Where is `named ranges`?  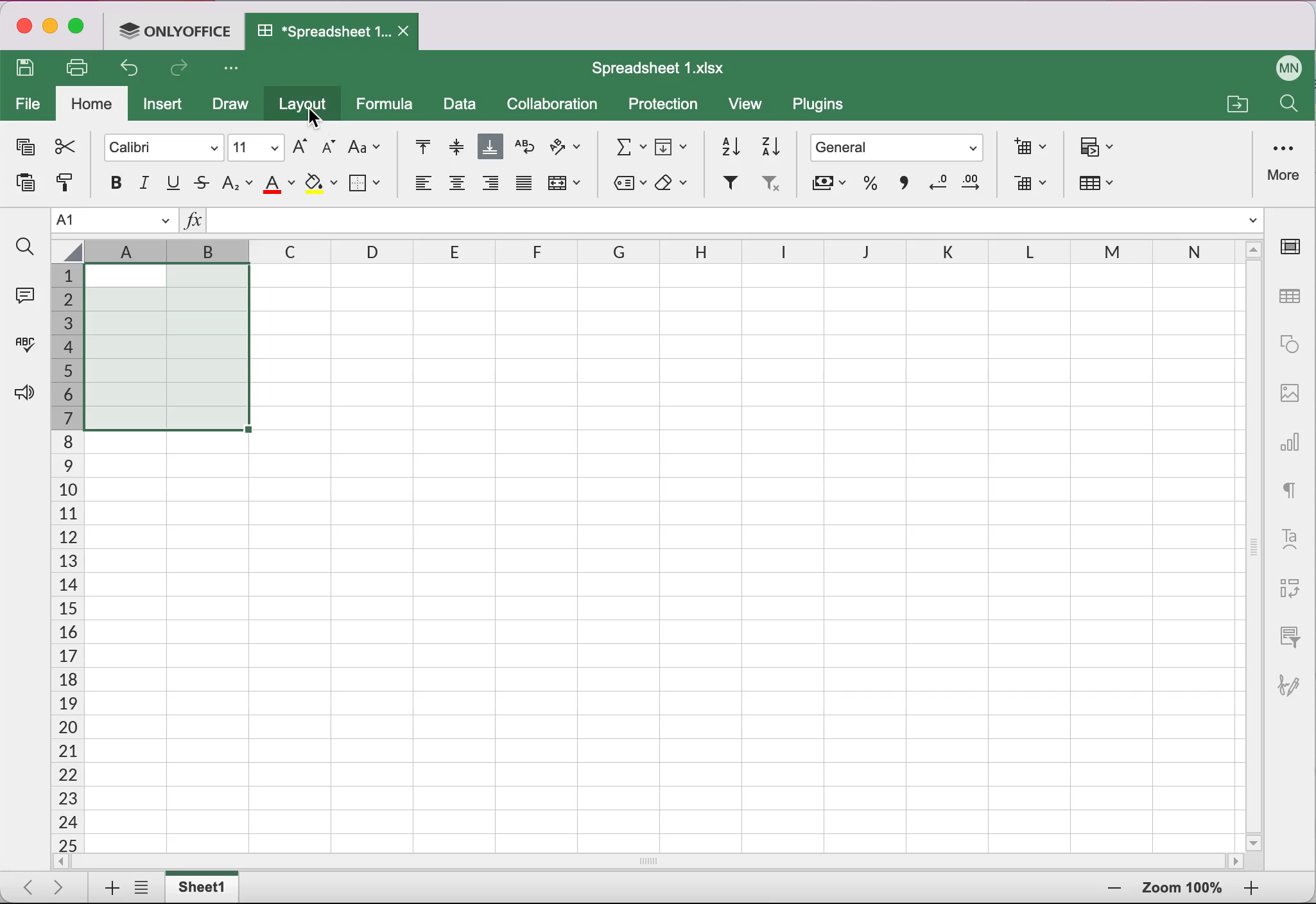 named ranges is located at coordinates (627, 185).